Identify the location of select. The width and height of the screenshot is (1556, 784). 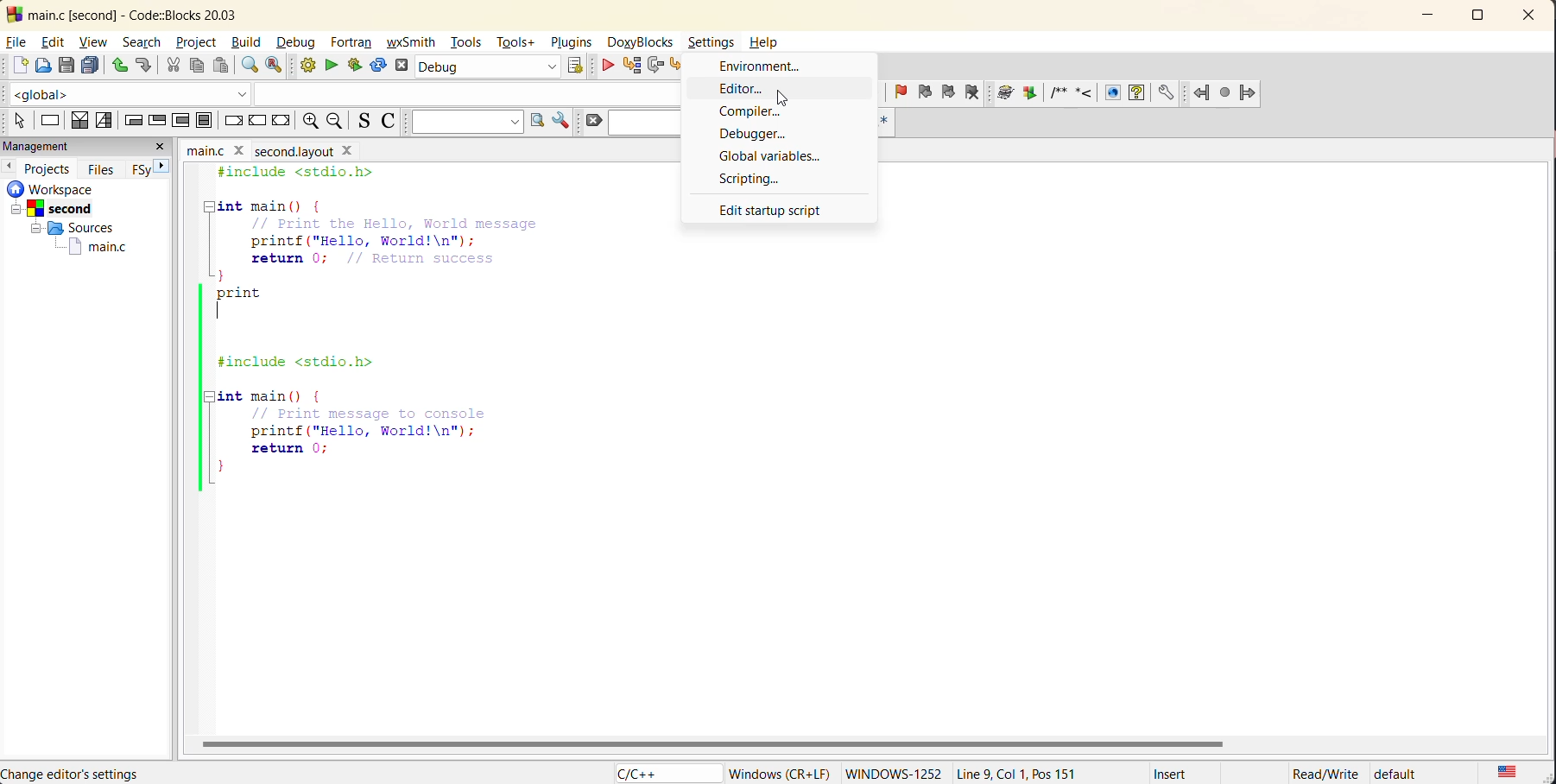
(16, 122).